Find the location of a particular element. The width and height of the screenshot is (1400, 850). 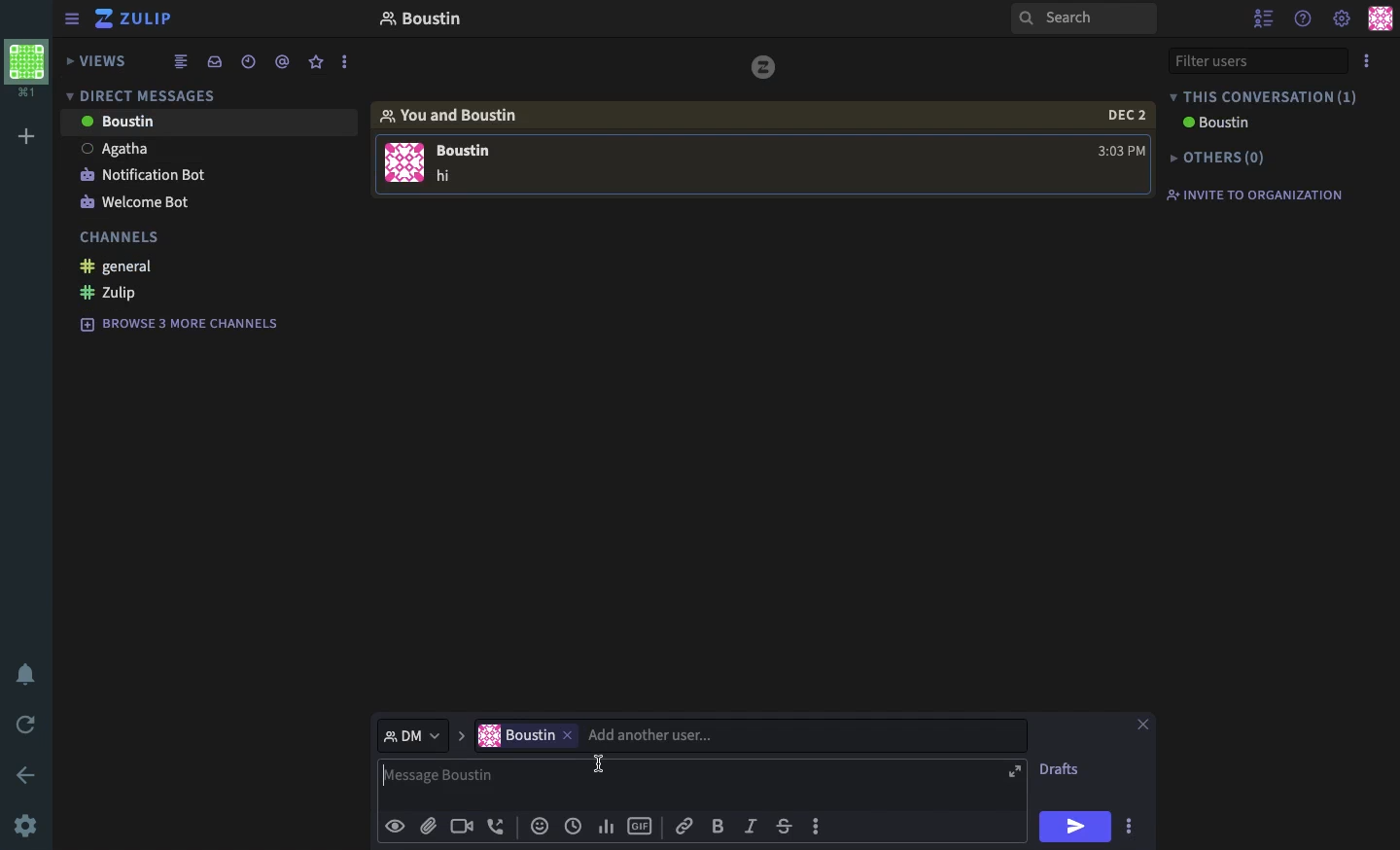

user profile is located at coordinates (1381, 18).